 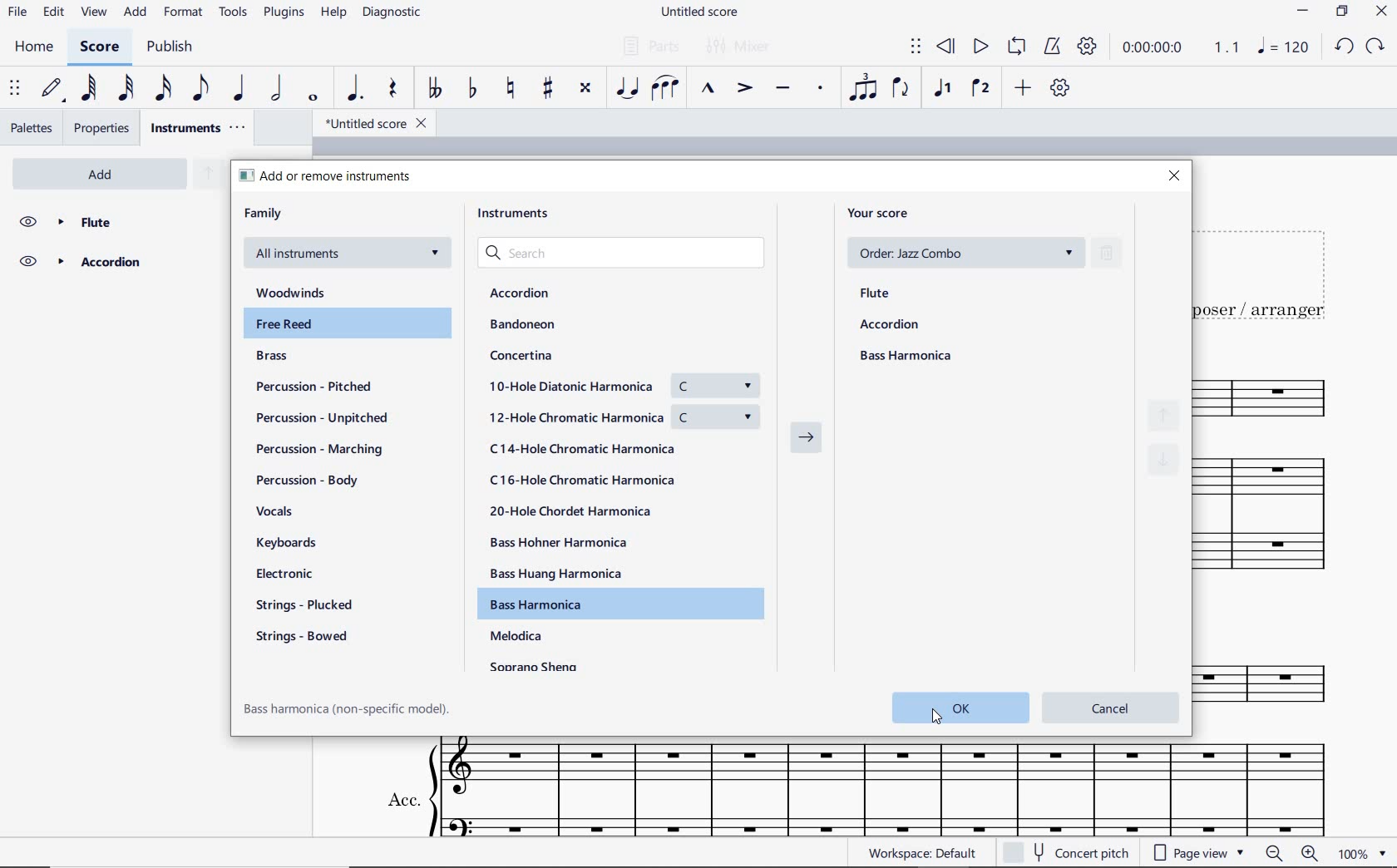 What do you see at coordinates (32, 128) in the screenshot?
I see `palettes` at bounding box center [32, 128].